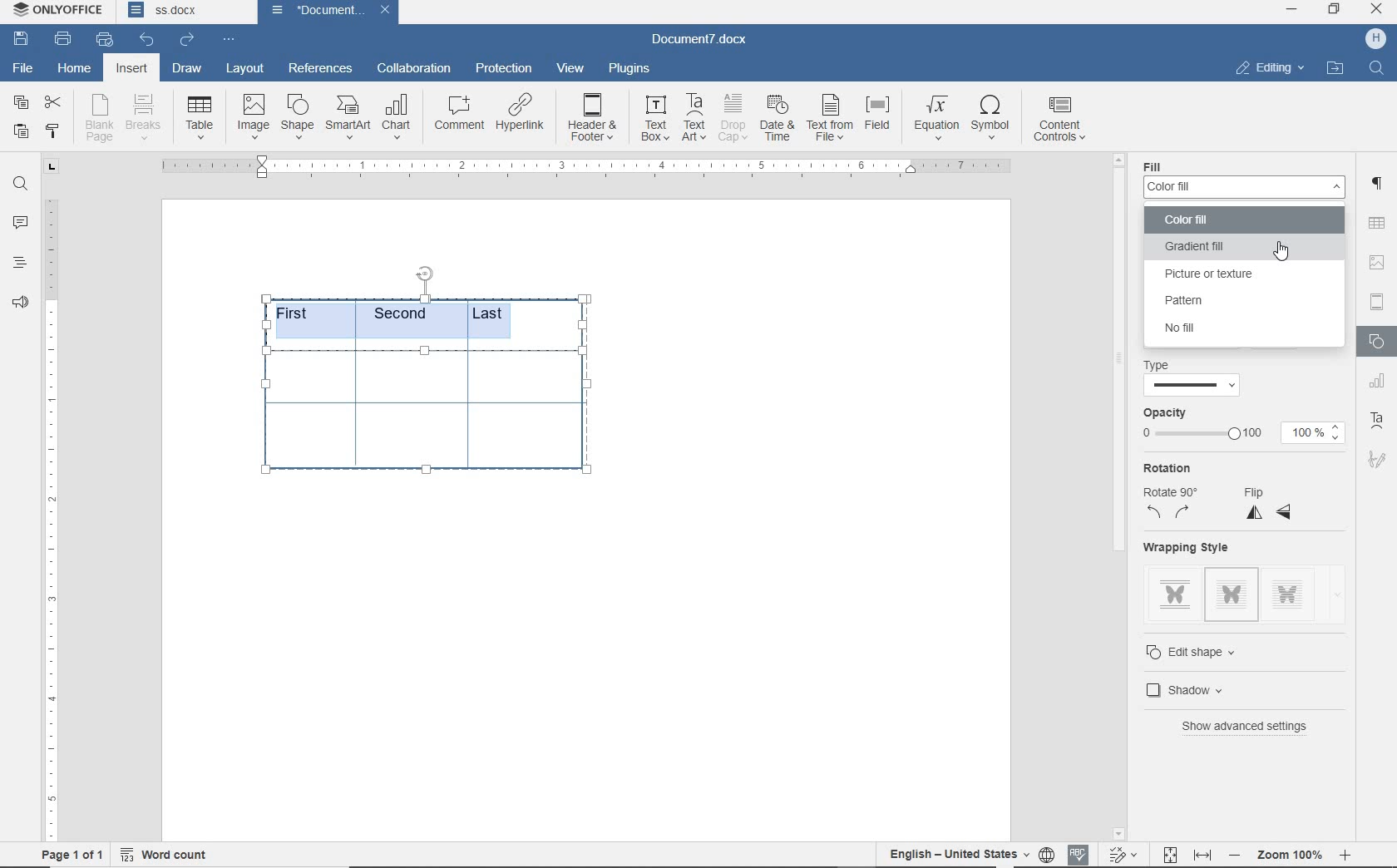  Describe the element at coordinates (1245, 186) in the screenshot. I see `color fill` at that location.